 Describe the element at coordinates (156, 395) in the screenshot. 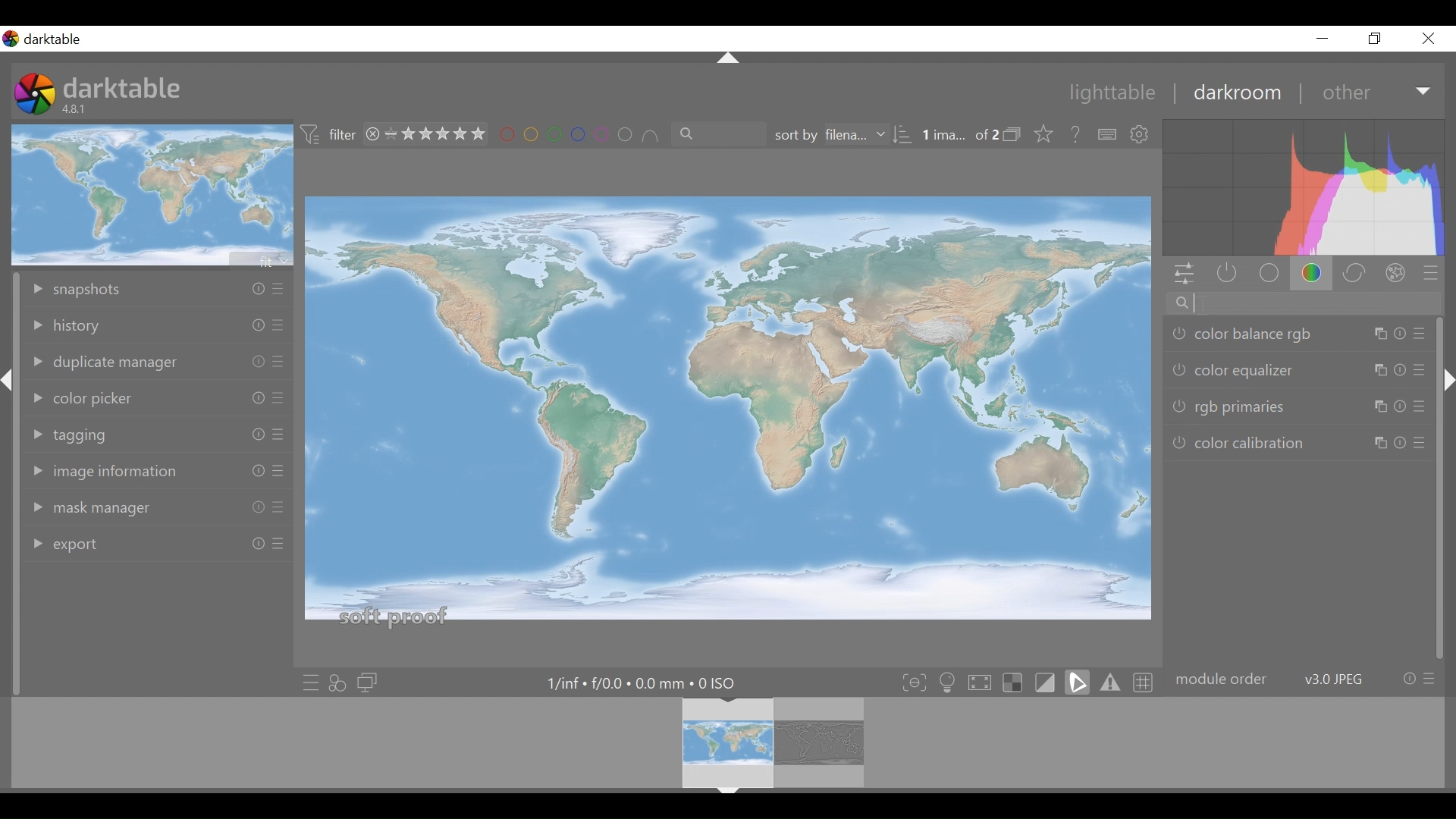

I see `color picker` at that location.